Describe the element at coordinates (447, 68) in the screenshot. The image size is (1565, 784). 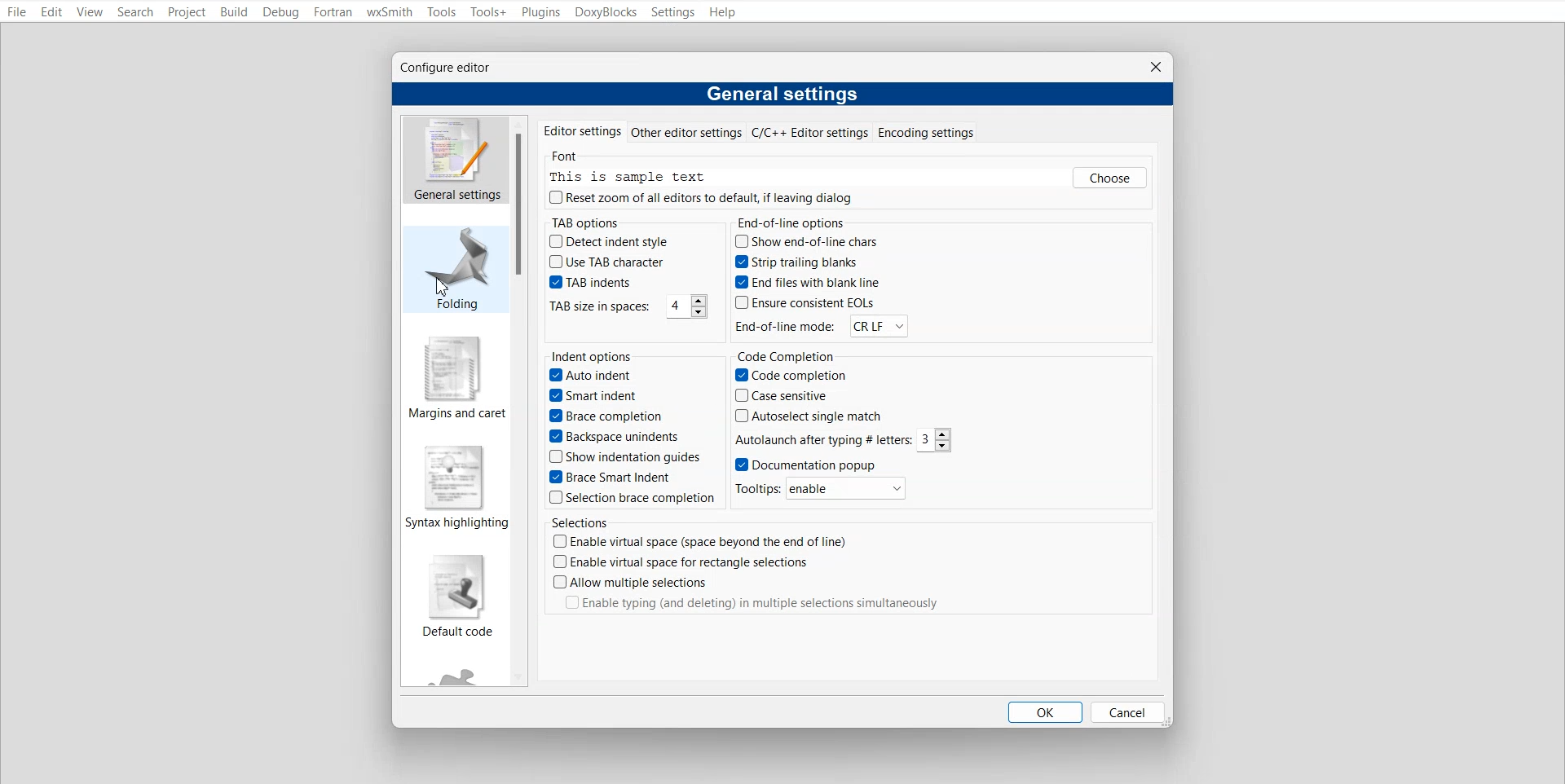
I see `Configure Editor` at that location.